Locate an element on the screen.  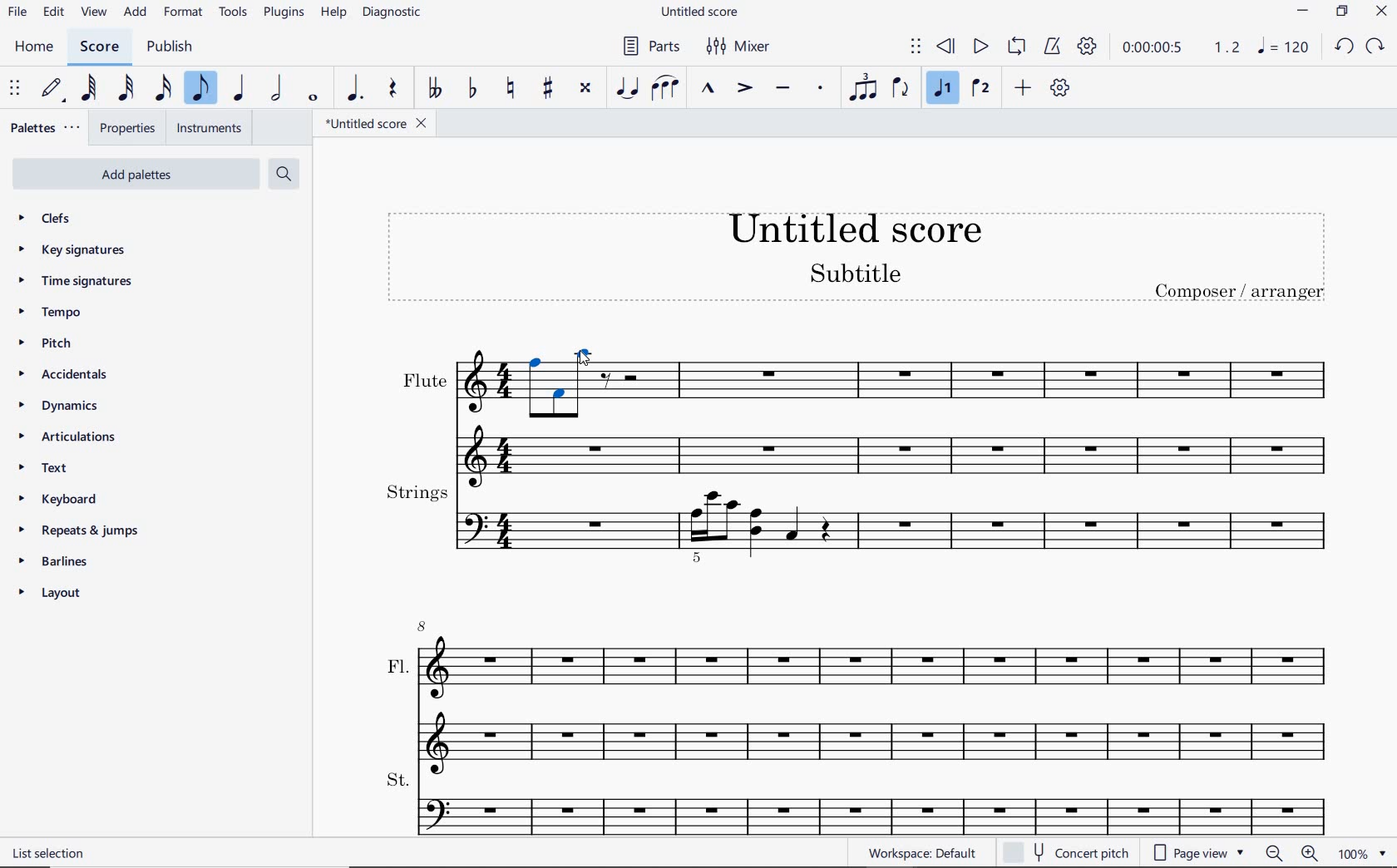
minimize is located at coordinates (1302, 11).